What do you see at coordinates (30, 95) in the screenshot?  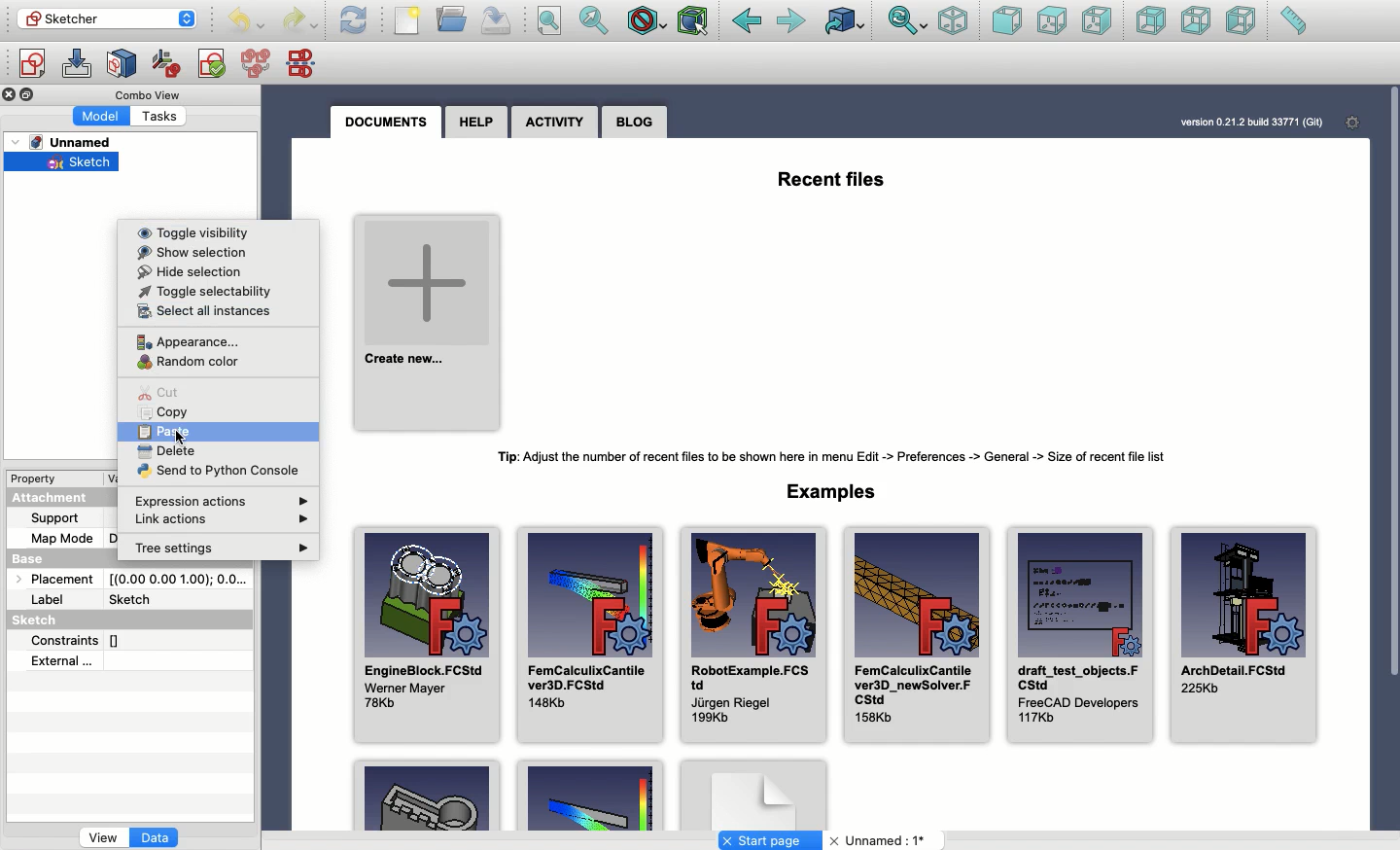 I see `Duplicate` at bounding box center [30, 95].